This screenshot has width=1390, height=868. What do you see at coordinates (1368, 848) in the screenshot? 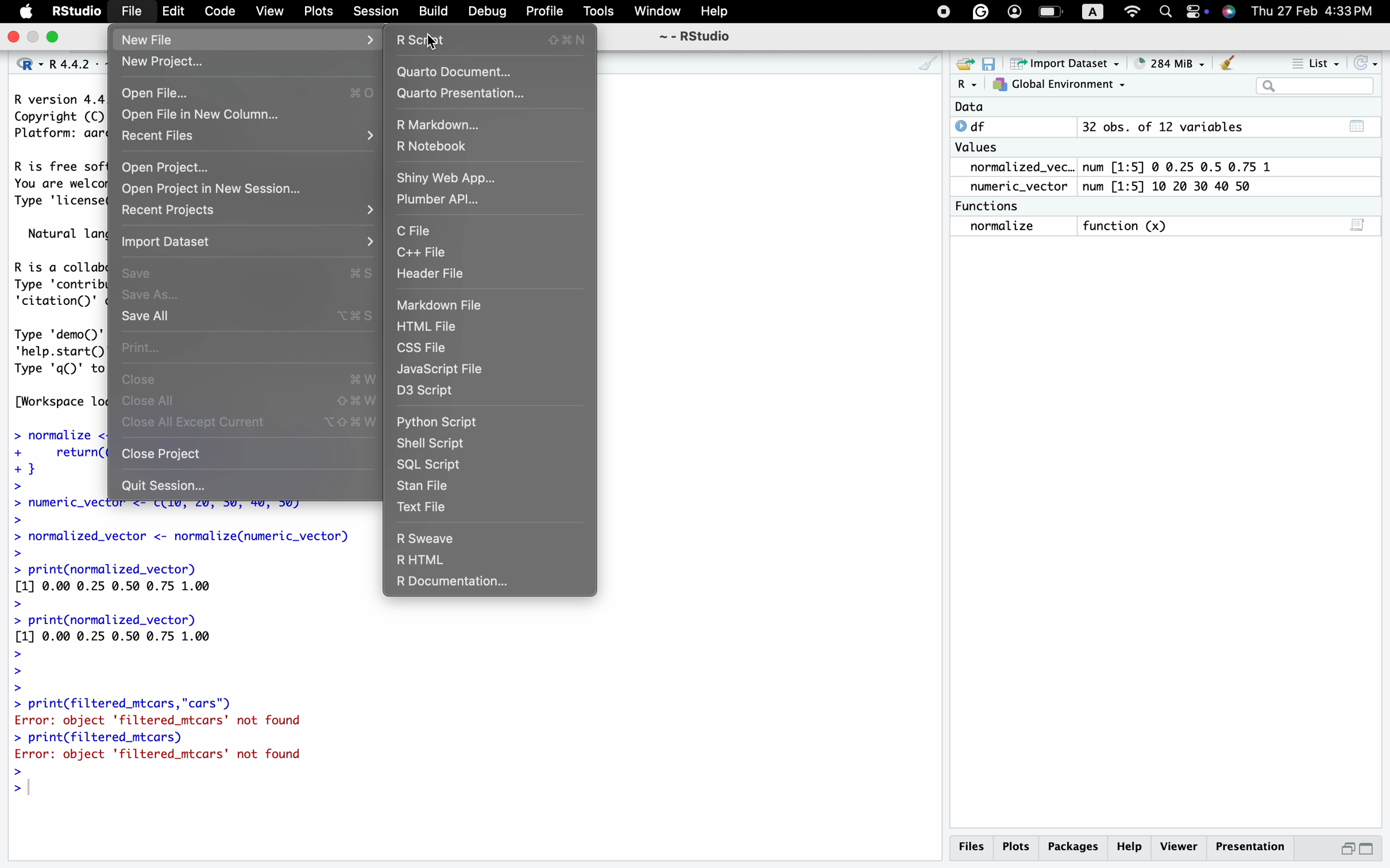
I see `maximise` at bounding box center [1368, 848].